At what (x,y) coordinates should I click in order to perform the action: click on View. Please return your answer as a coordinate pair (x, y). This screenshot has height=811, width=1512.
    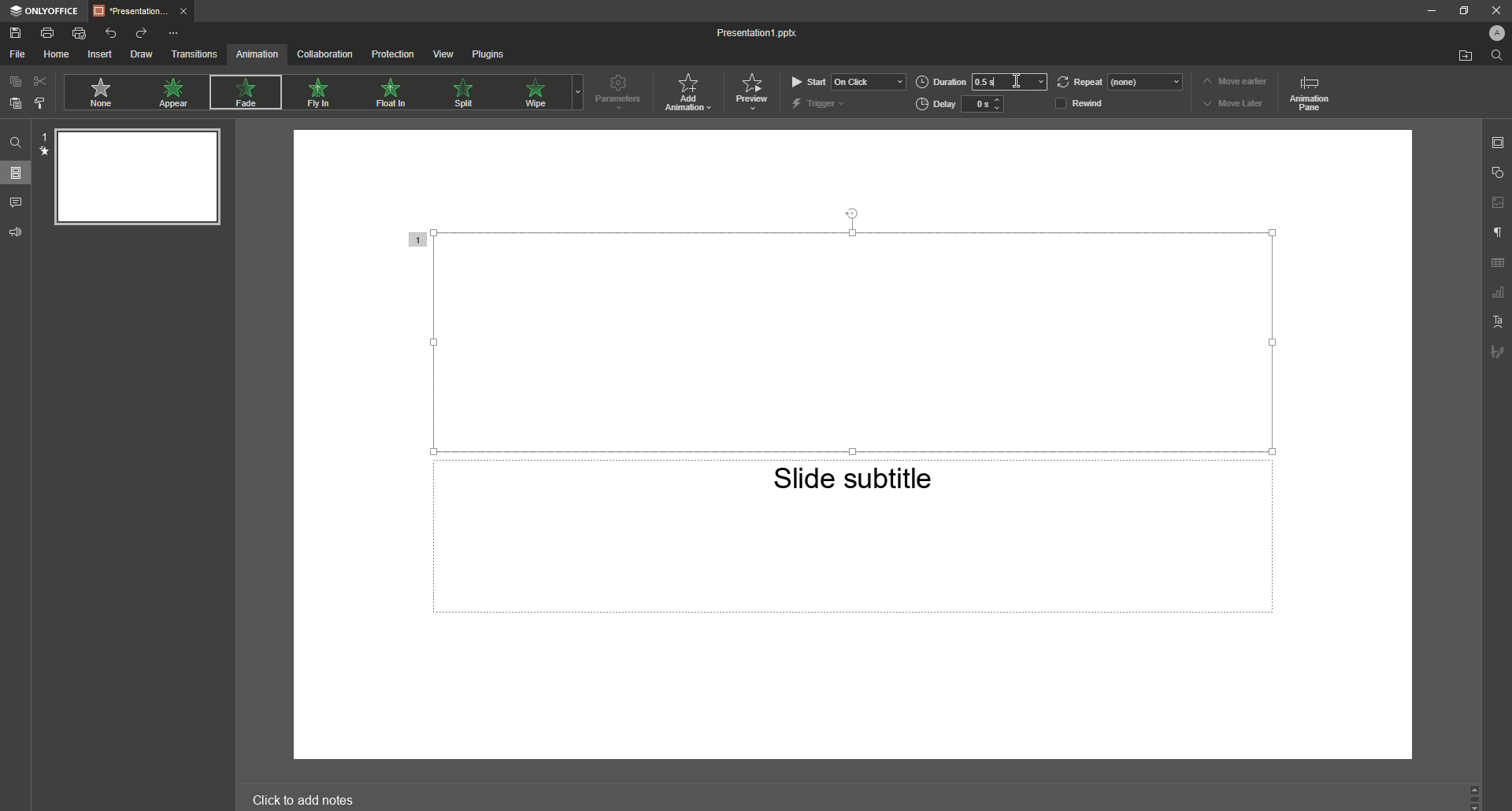
    Looking at the image, I should click on (443, 54).